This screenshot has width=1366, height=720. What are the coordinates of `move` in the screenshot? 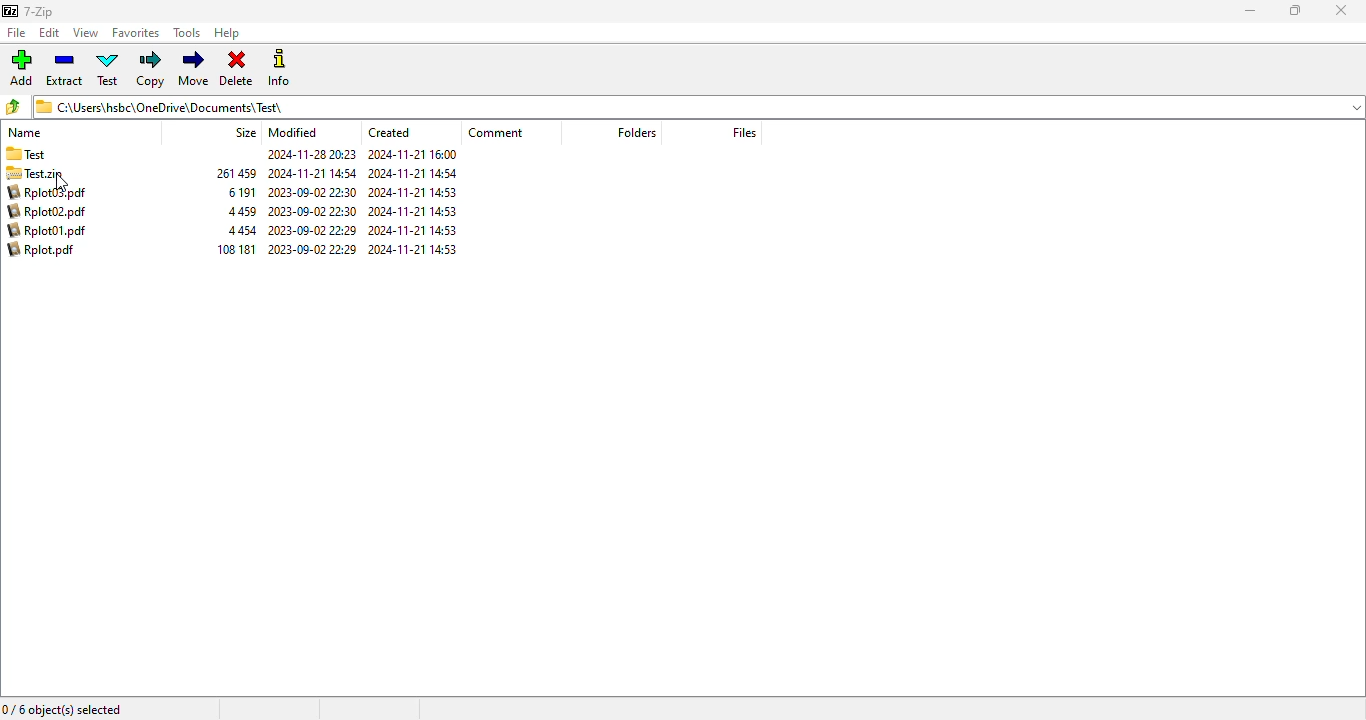 It's located at (194, 68).